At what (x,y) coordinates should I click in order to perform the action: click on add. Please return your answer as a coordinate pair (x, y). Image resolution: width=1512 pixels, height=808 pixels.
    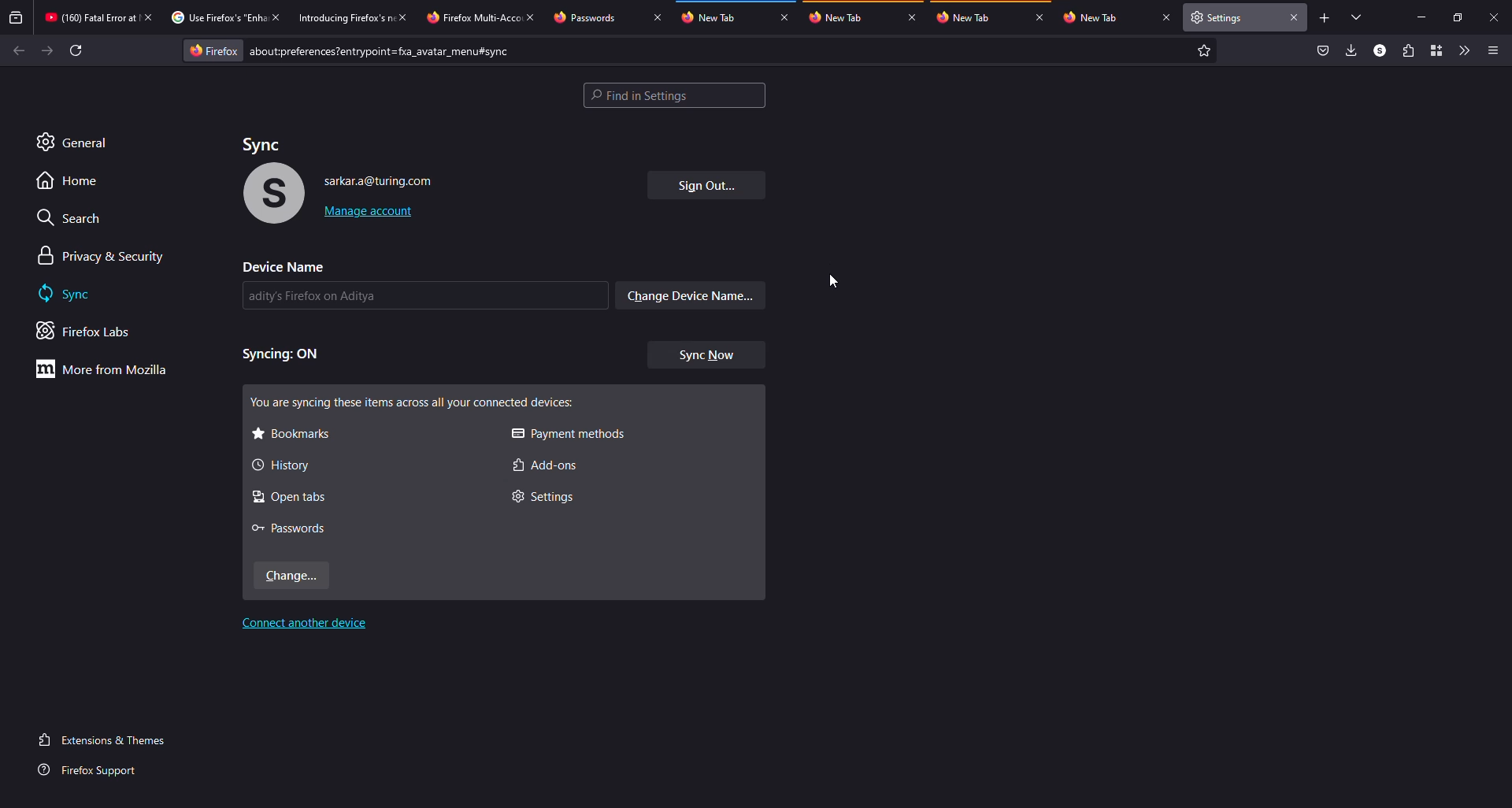
    Looking at the image, I should click on (1323, 18).